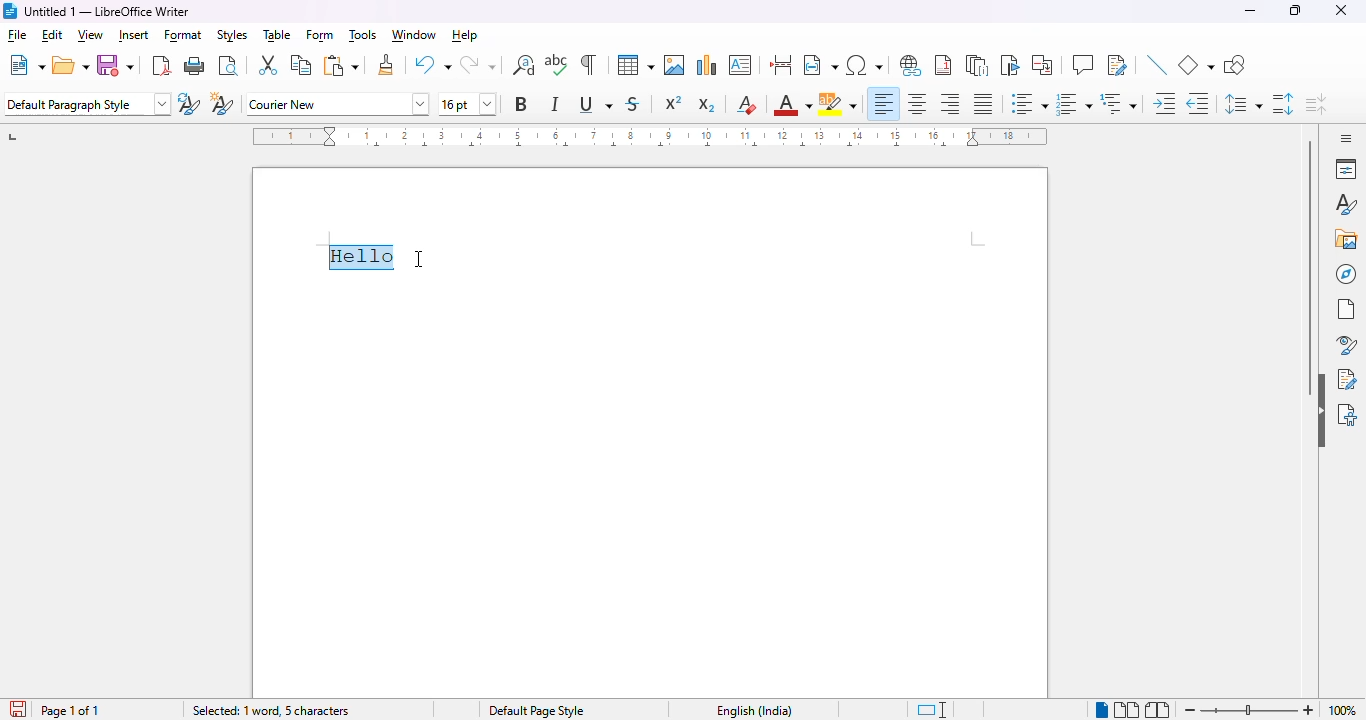 The height and width of the screenshot is (720, 1366). I want to click on tools, so click(363, 36).